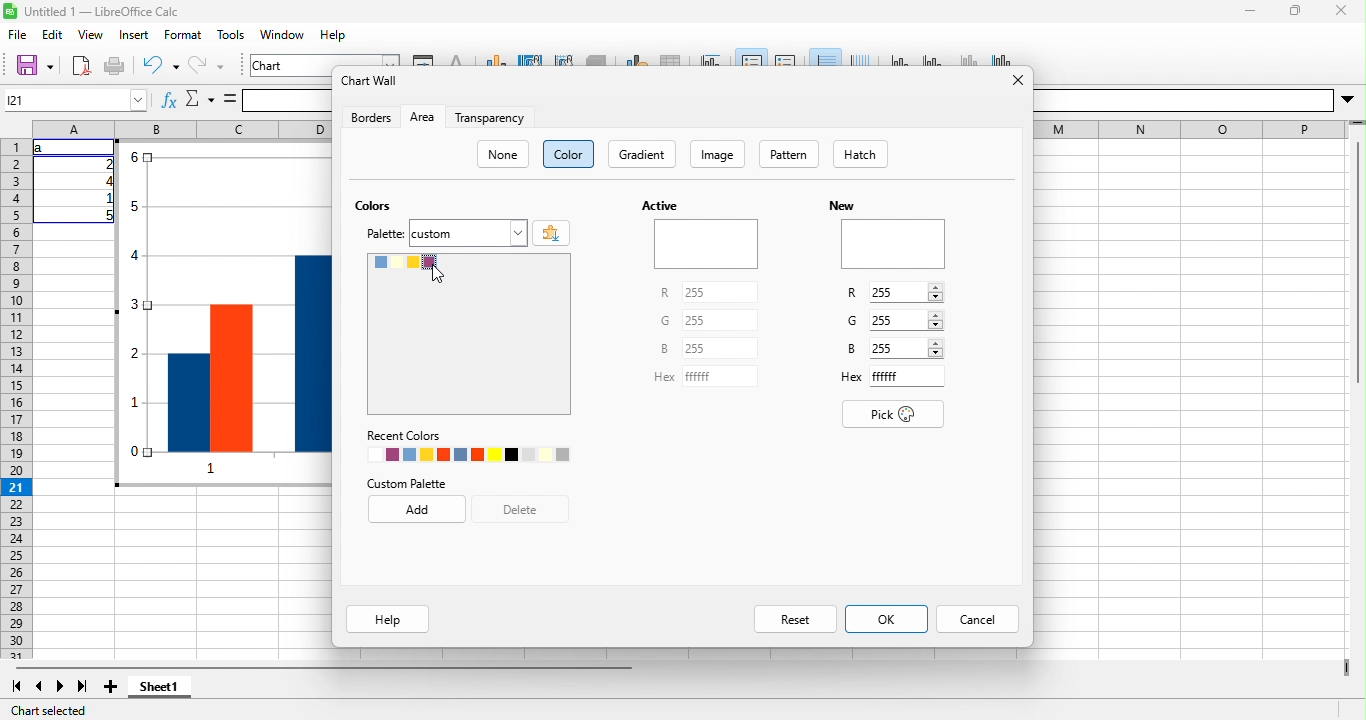 Image resolution: width=1366 pixels, height=720 pixels. I want to click on More options, so click(1347, 100).